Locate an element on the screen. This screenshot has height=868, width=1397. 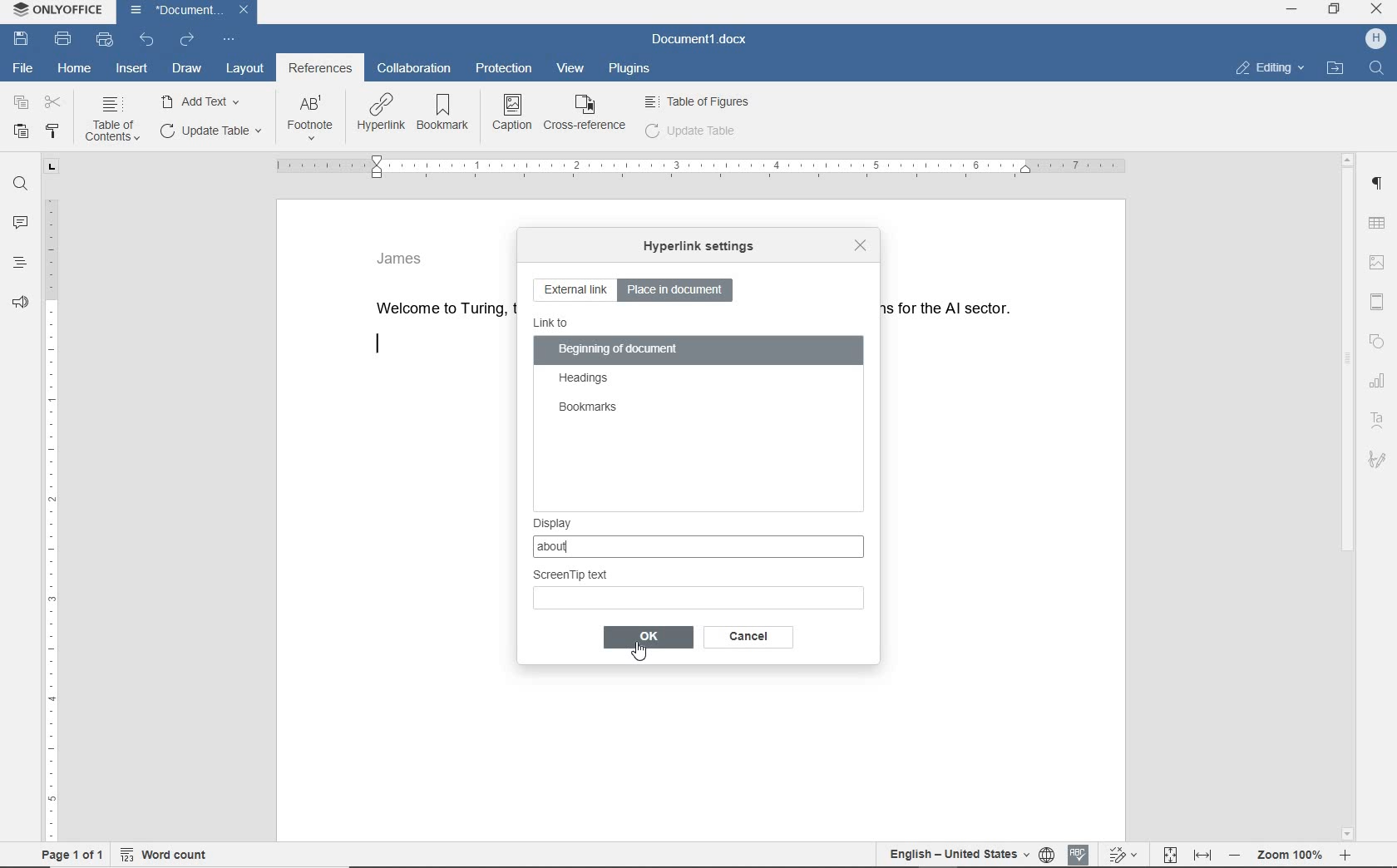
Paragraph is located at coordinates (1381, 184).